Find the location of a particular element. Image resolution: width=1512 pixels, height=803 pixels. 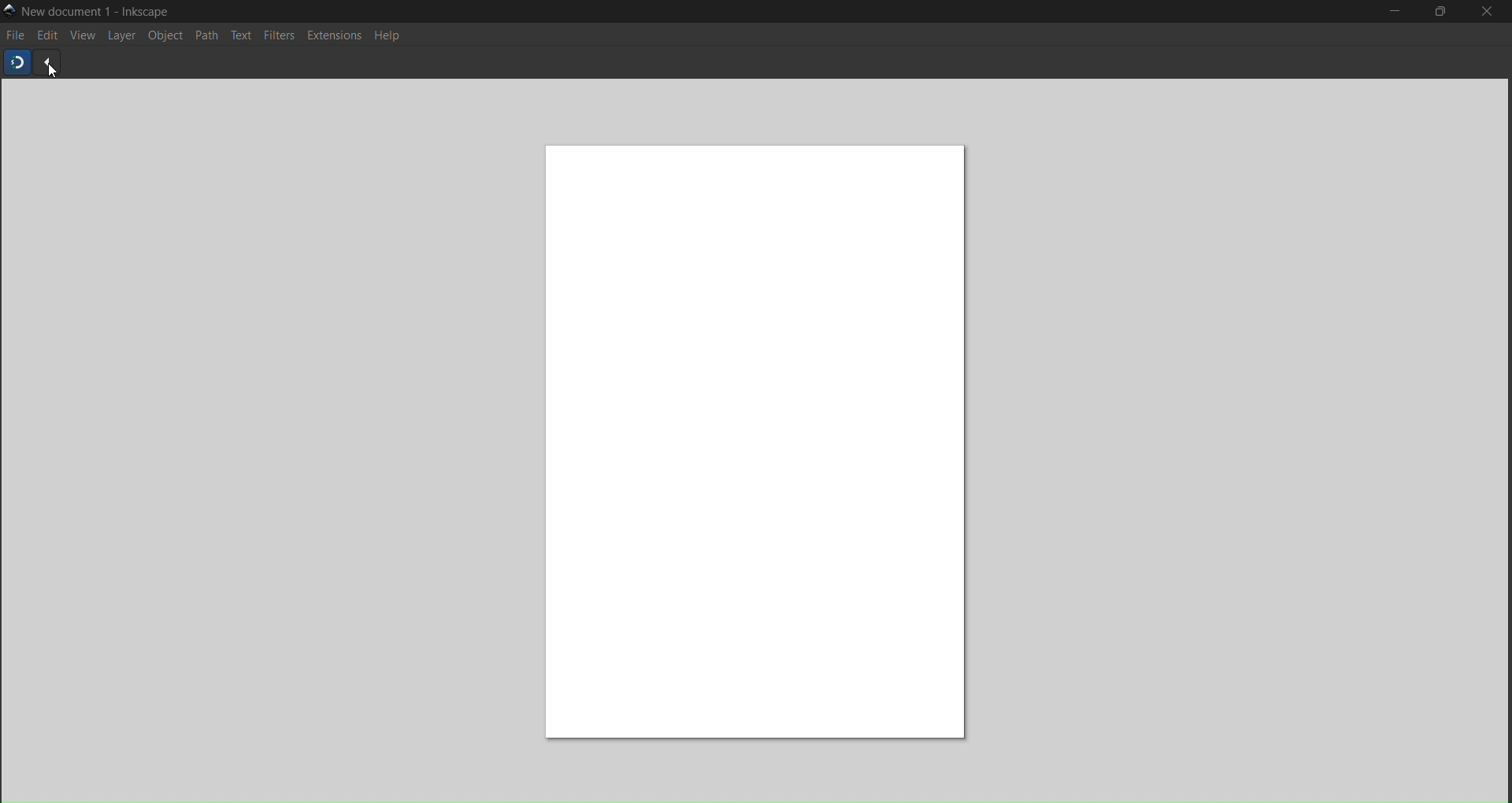

Help is located at coordinates (391, 36).